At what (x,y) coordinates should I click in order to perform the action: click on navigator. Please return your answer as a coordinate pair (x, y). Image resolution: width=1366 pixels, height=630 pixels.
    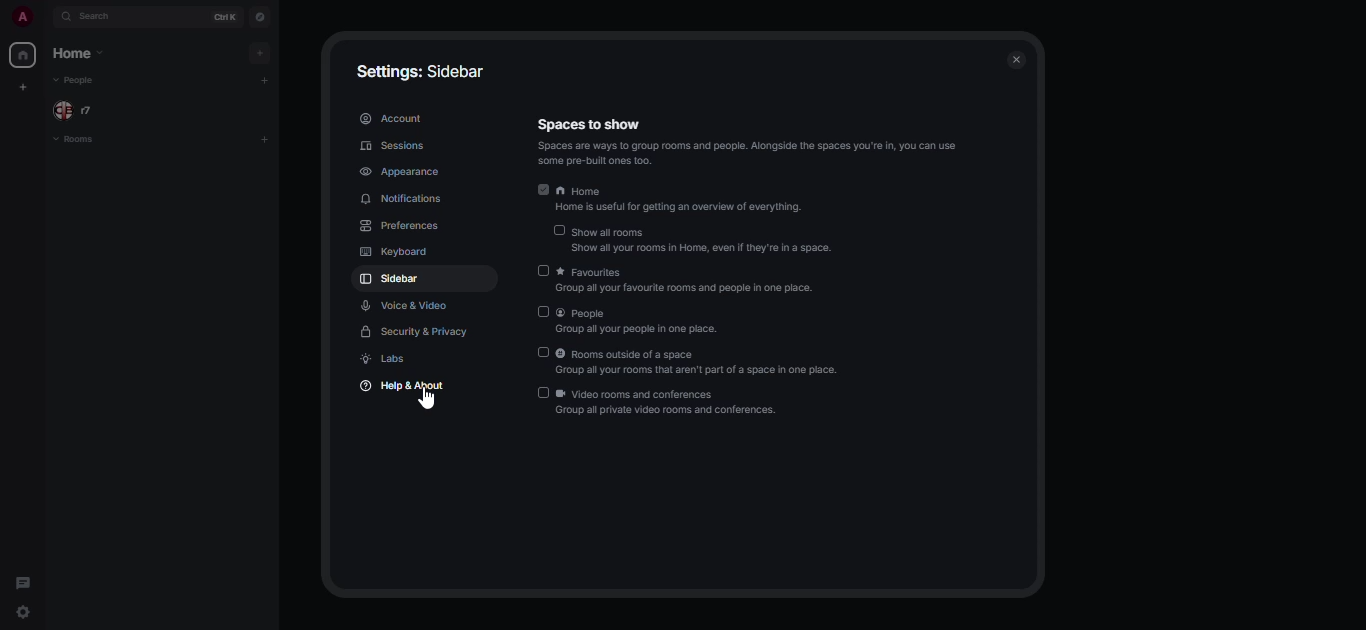
    Looking at the image, I should click on (259, 14).